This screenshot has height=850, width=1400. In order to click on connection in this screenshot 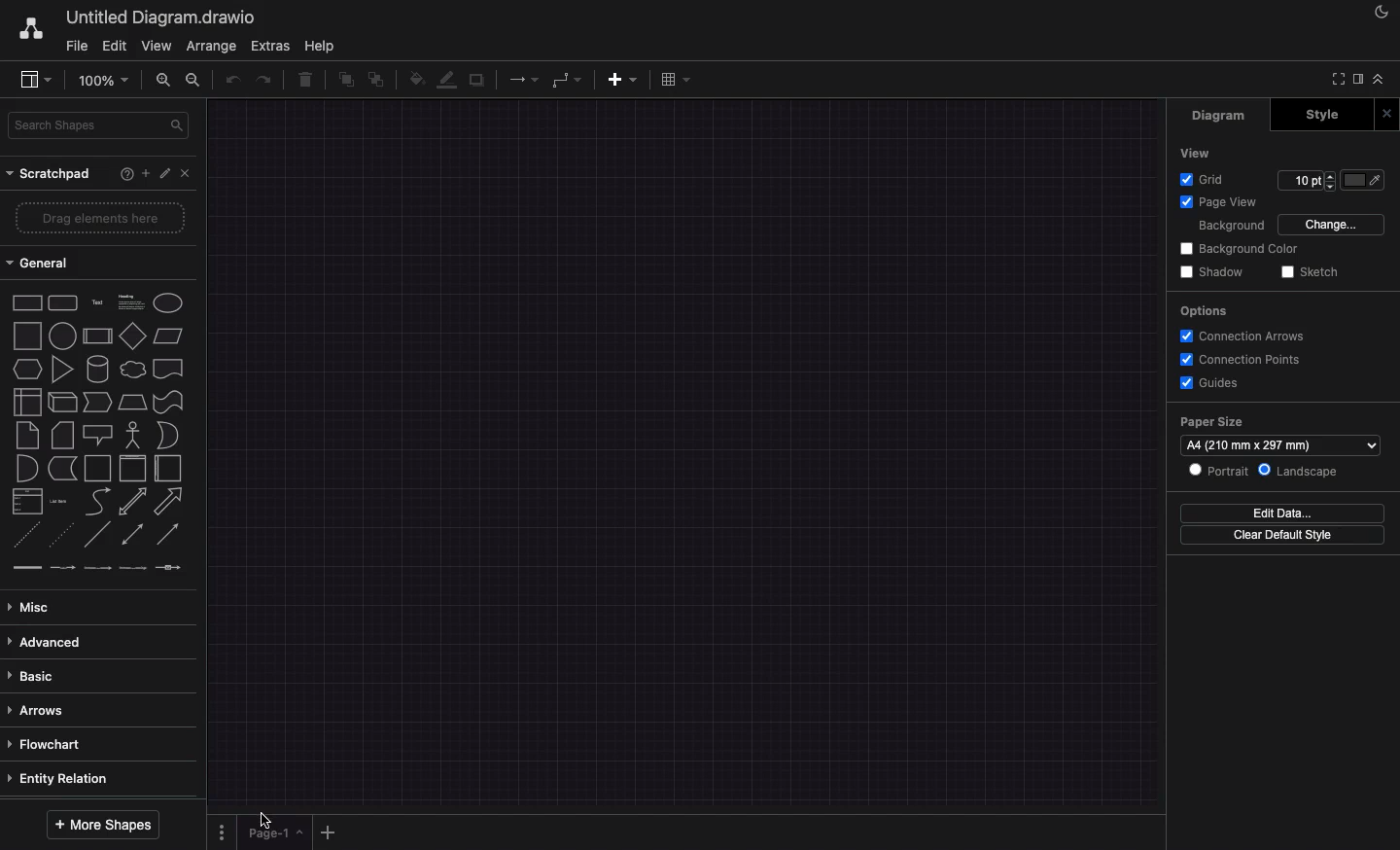, I will do `click(523, 81)`.